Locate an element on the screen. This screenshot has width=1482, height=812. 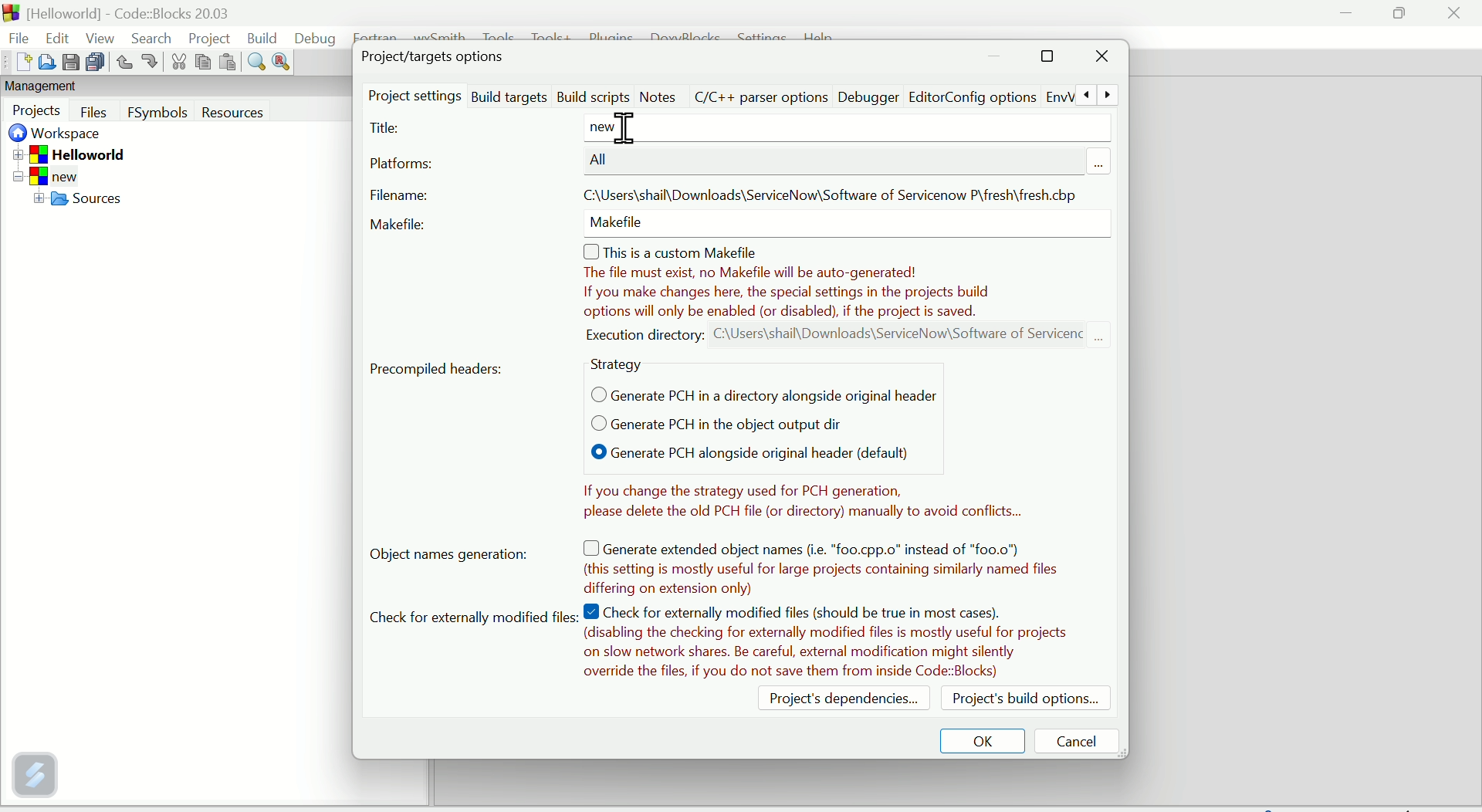
Note is located at coordinates (846, 292).